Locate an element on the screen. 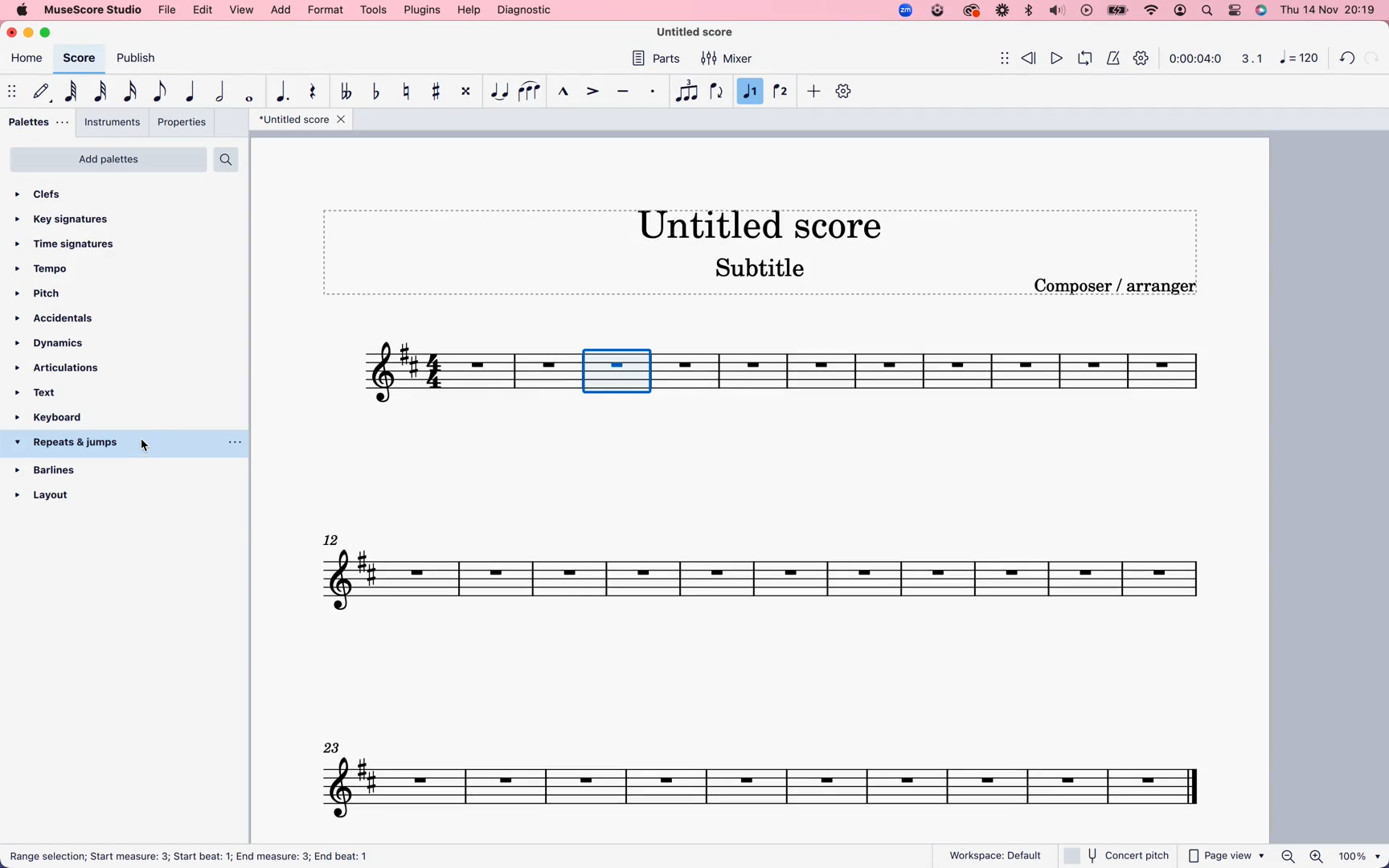  file is located at coordinates (169, 10).